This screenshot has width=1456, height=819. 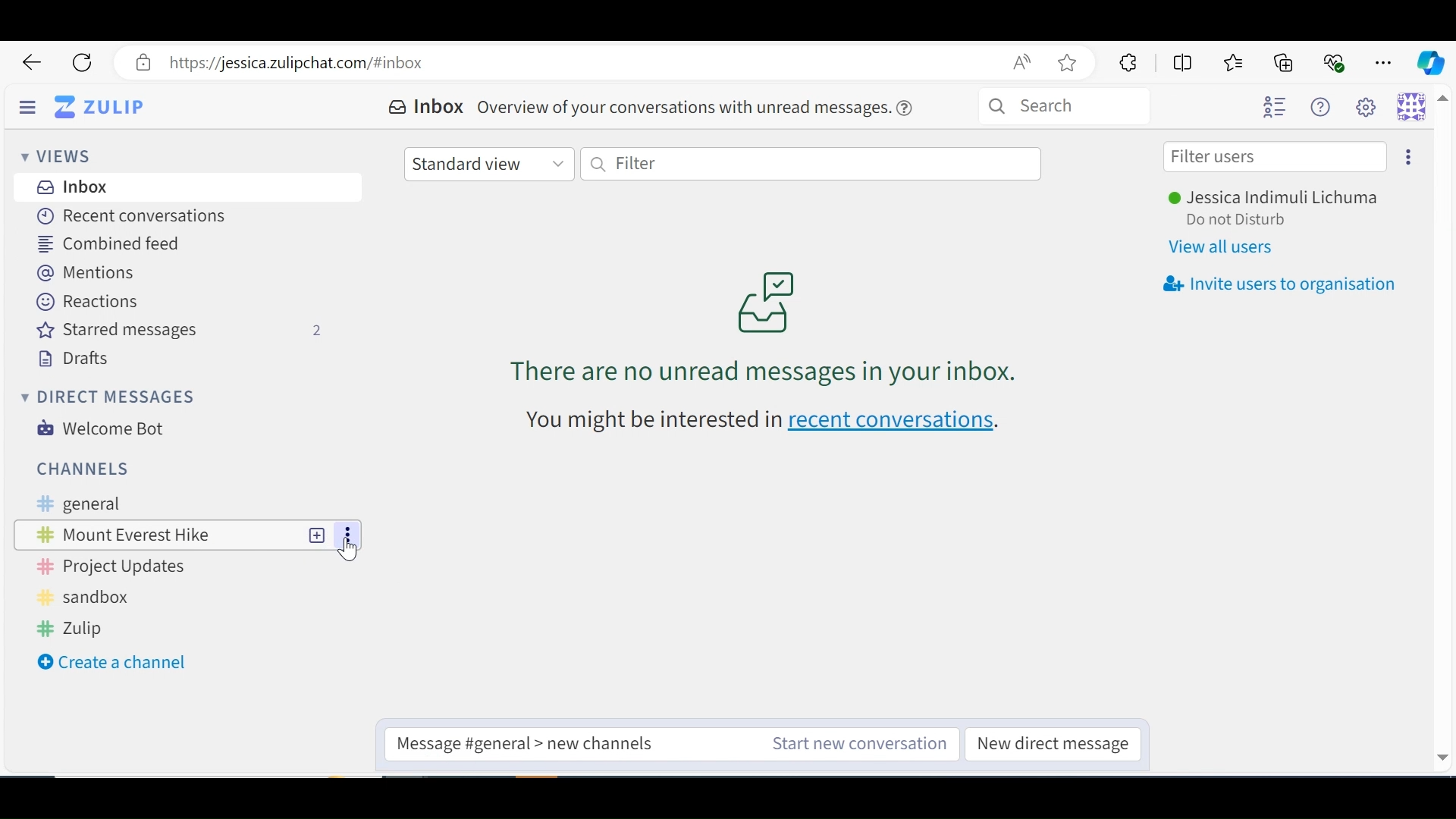 What do you see at coordinates (1250, 221) in the screenshot?
I see `Status` at bounding box center [1250, 221].